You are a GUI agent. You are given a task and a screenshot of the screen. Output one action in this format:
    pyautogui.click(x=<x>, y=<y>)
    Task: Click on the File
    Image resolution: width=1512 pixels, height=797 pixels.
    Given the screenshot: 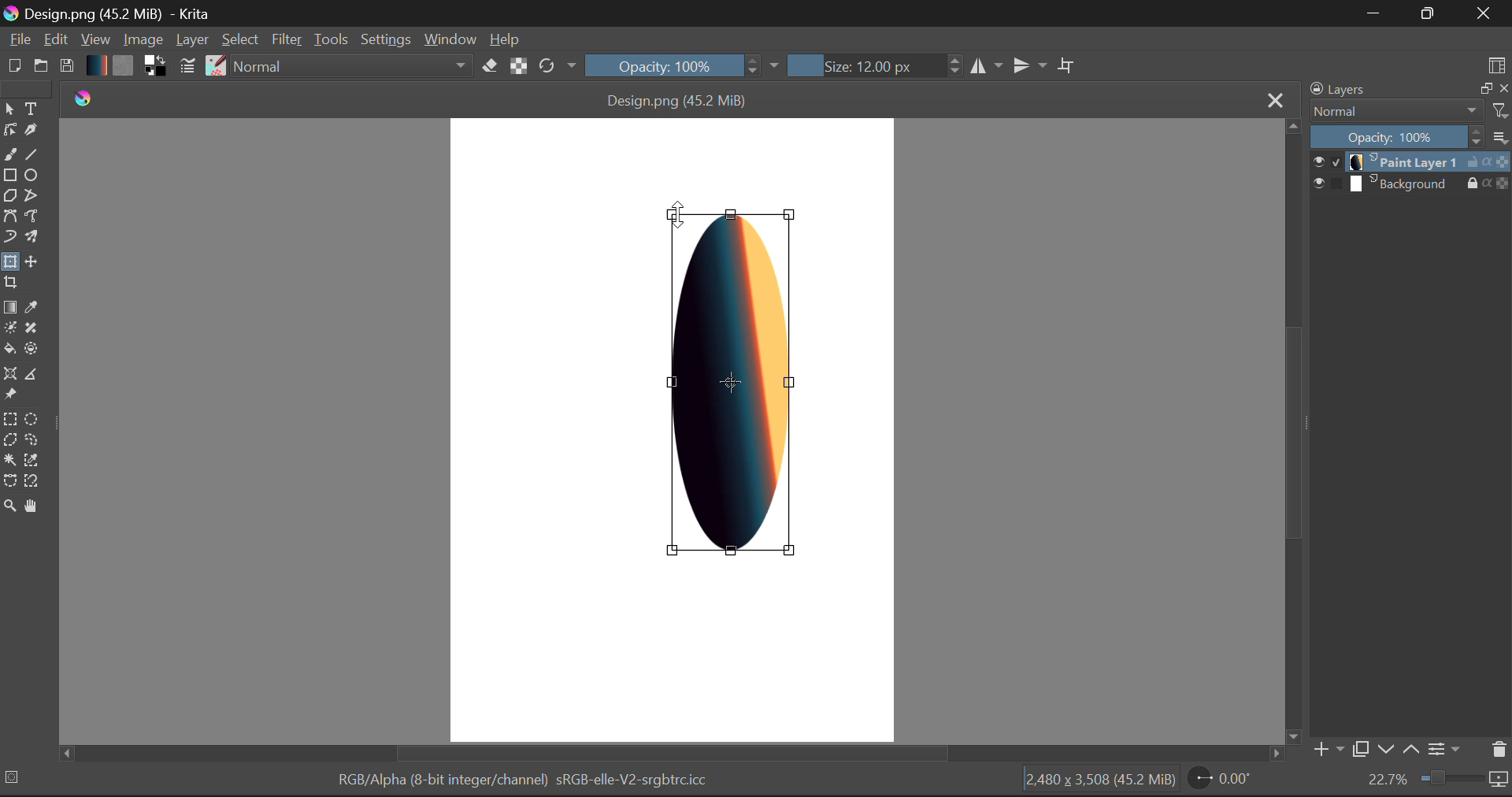 What is the action you would take?
    pyautogui.click(x=17, y=39)
    